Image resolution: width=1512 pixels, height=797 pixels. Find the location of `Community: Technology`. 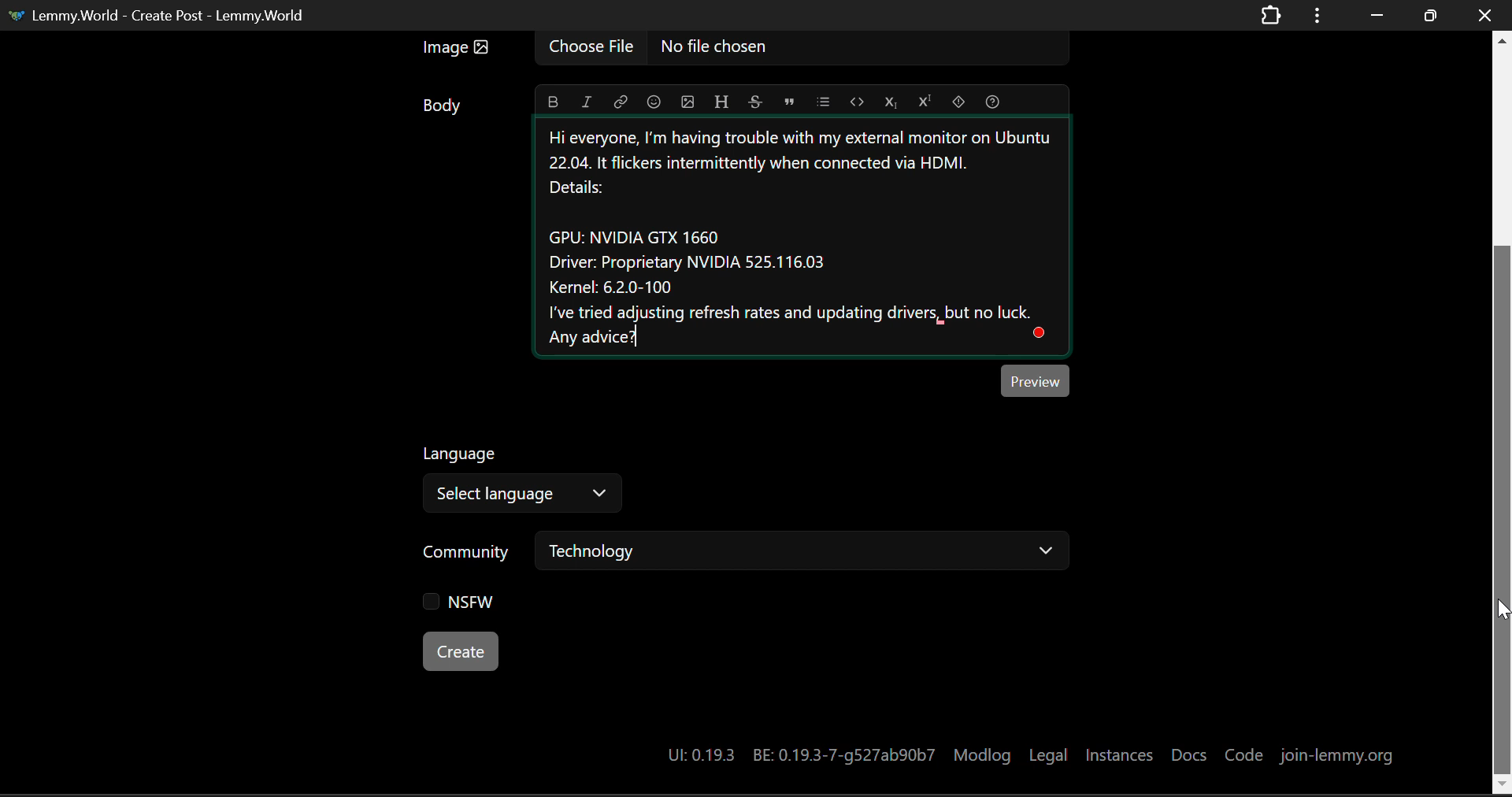

Community: Technology is located at coordinates (748, 554).